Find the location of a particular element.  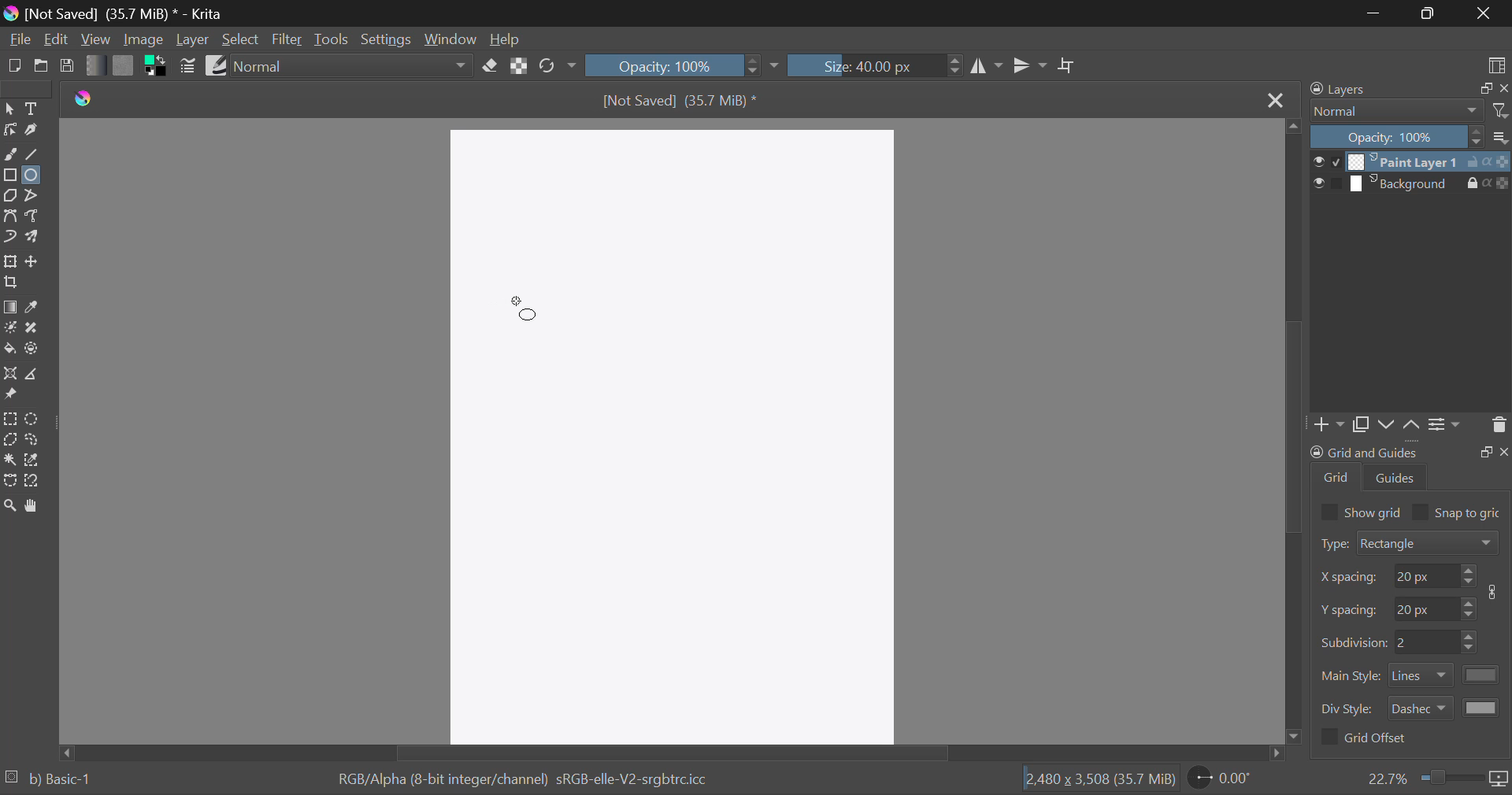

Opacity is located at coordinates (684, 65).